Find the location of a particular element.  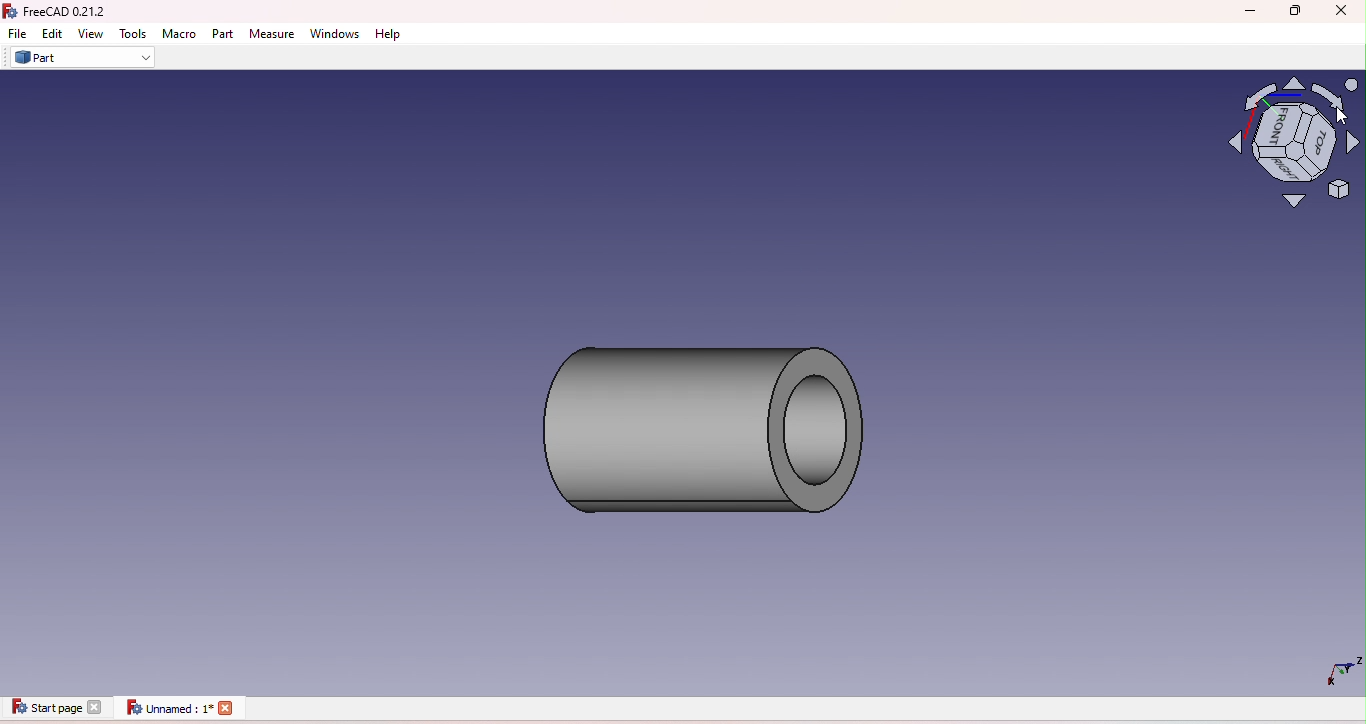

cursor is located at coordinates (1339, 117).